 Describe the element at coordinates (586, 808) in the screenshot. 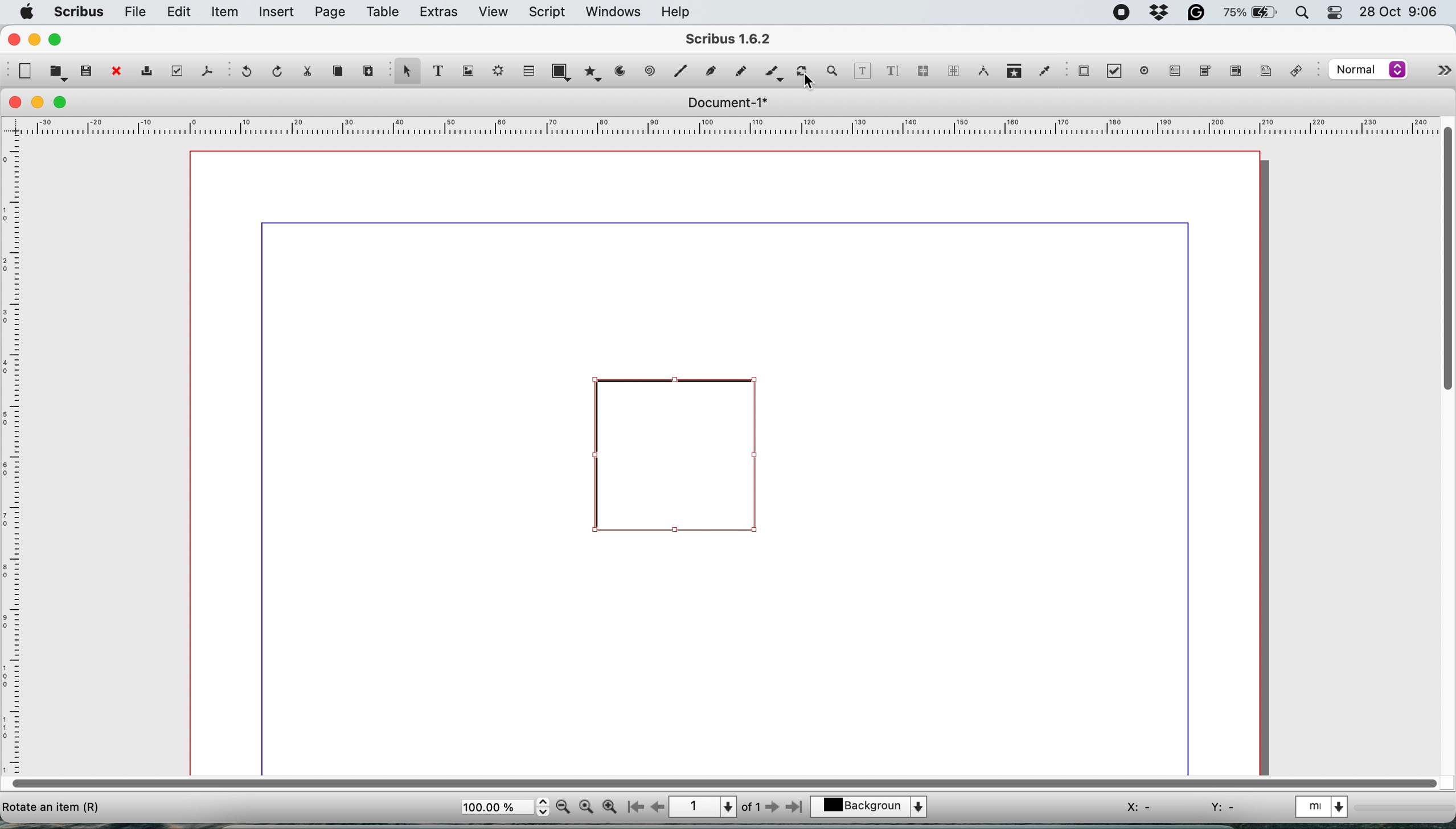

I see `zoom to 100%` at that location.